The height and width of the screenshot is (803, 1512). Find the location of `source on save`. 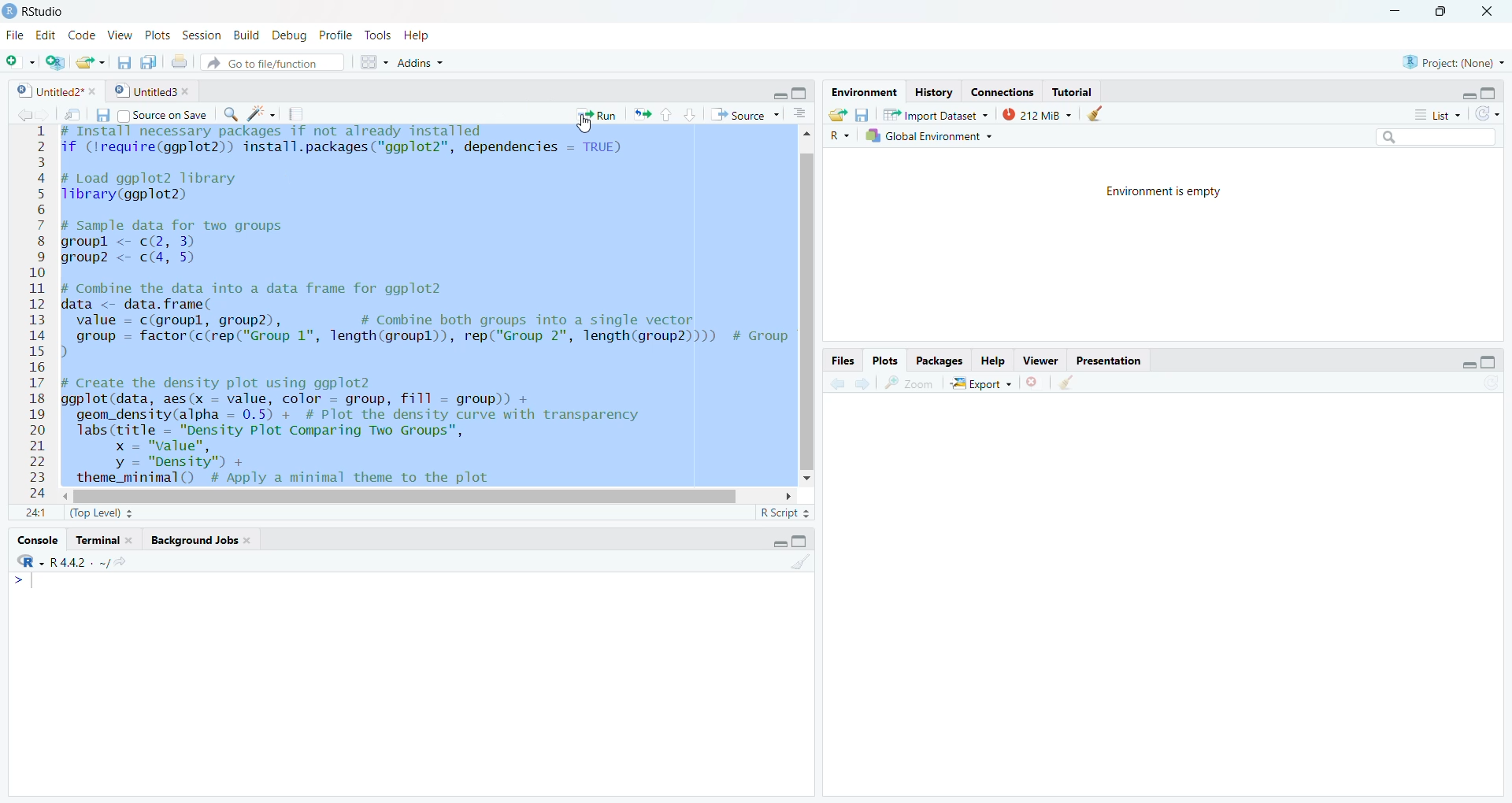

source on save is located at coordinates (164, 115).